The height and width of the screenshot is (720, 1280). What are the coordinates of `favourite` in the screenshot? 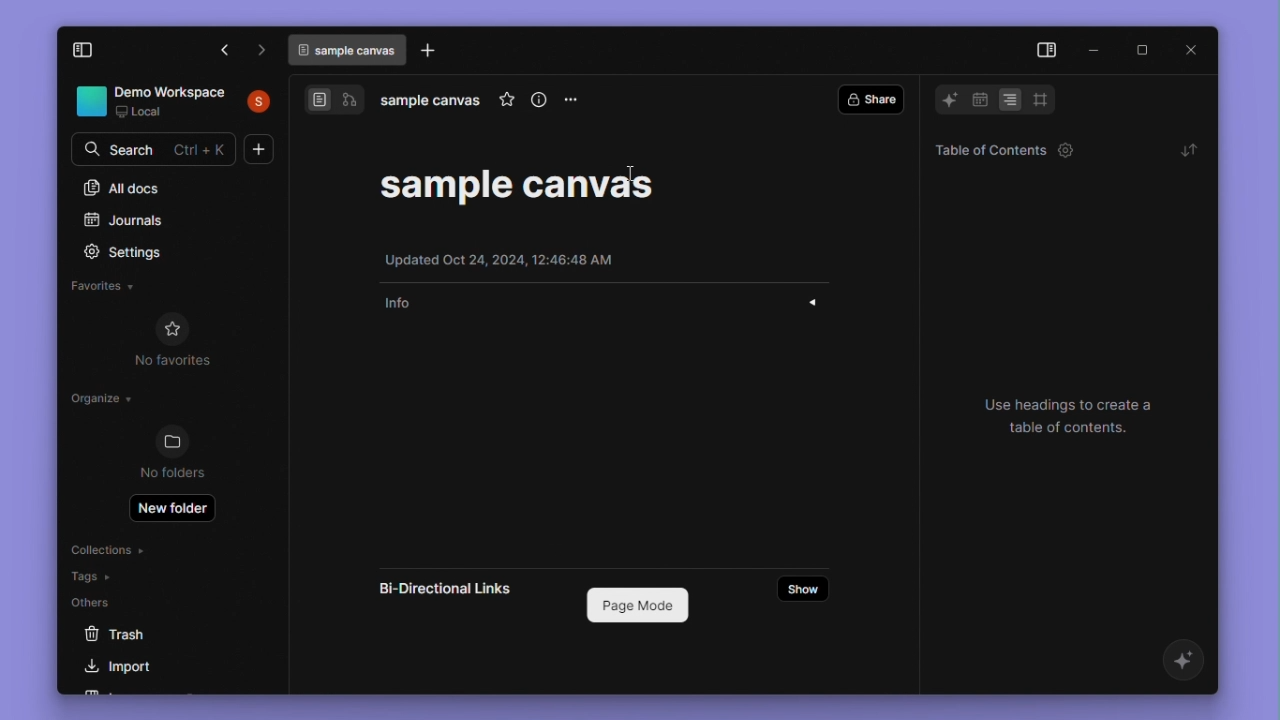 It's located at (506, 102).